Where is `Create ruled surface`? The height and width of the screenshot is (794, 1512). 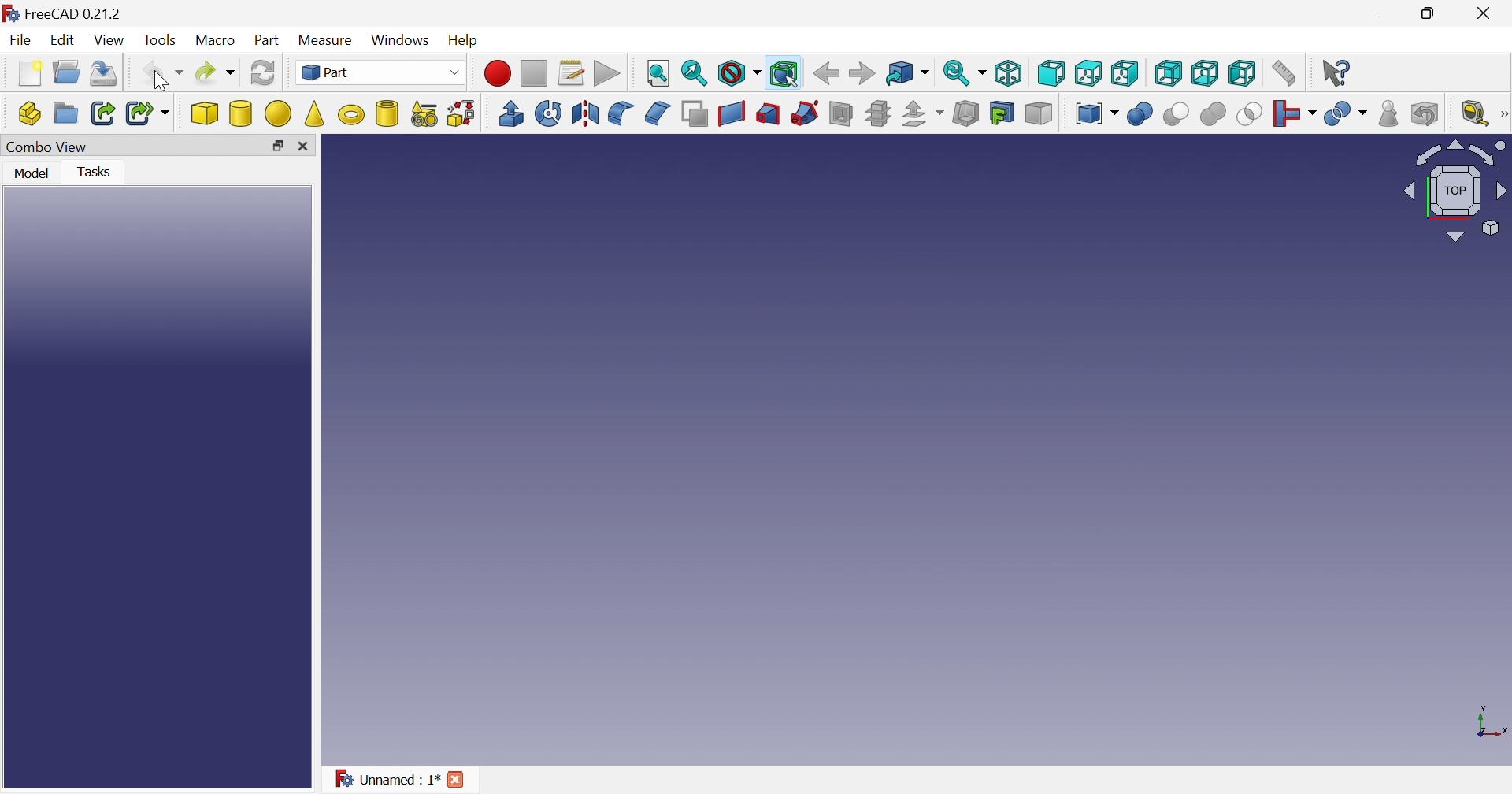
Create ruled surface is located at coordinates (731, 114).